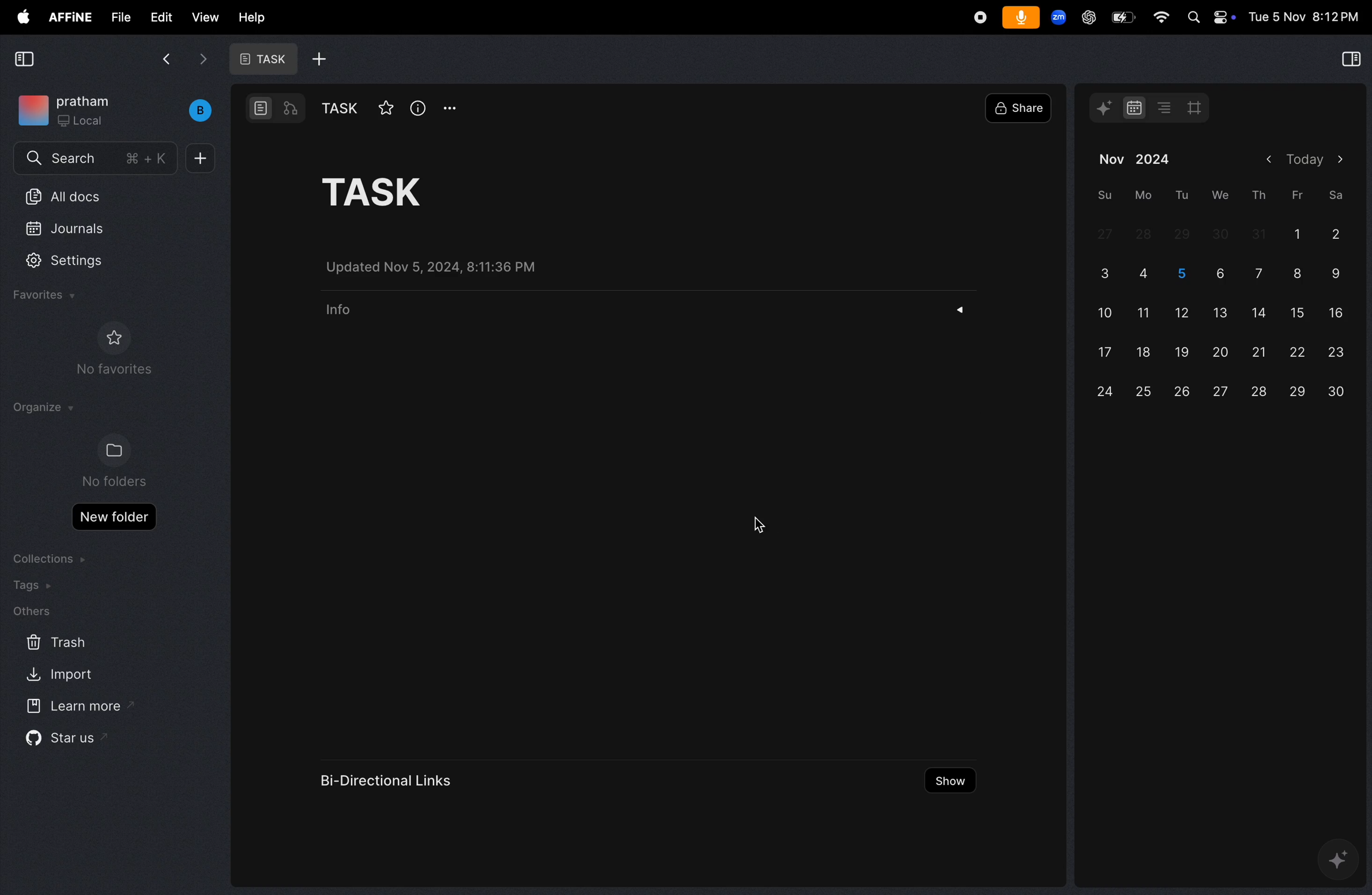 The image size is (1372, 895). Describe the element at coordinates (1162, 107) in the screenshot. I see `list` at that location.